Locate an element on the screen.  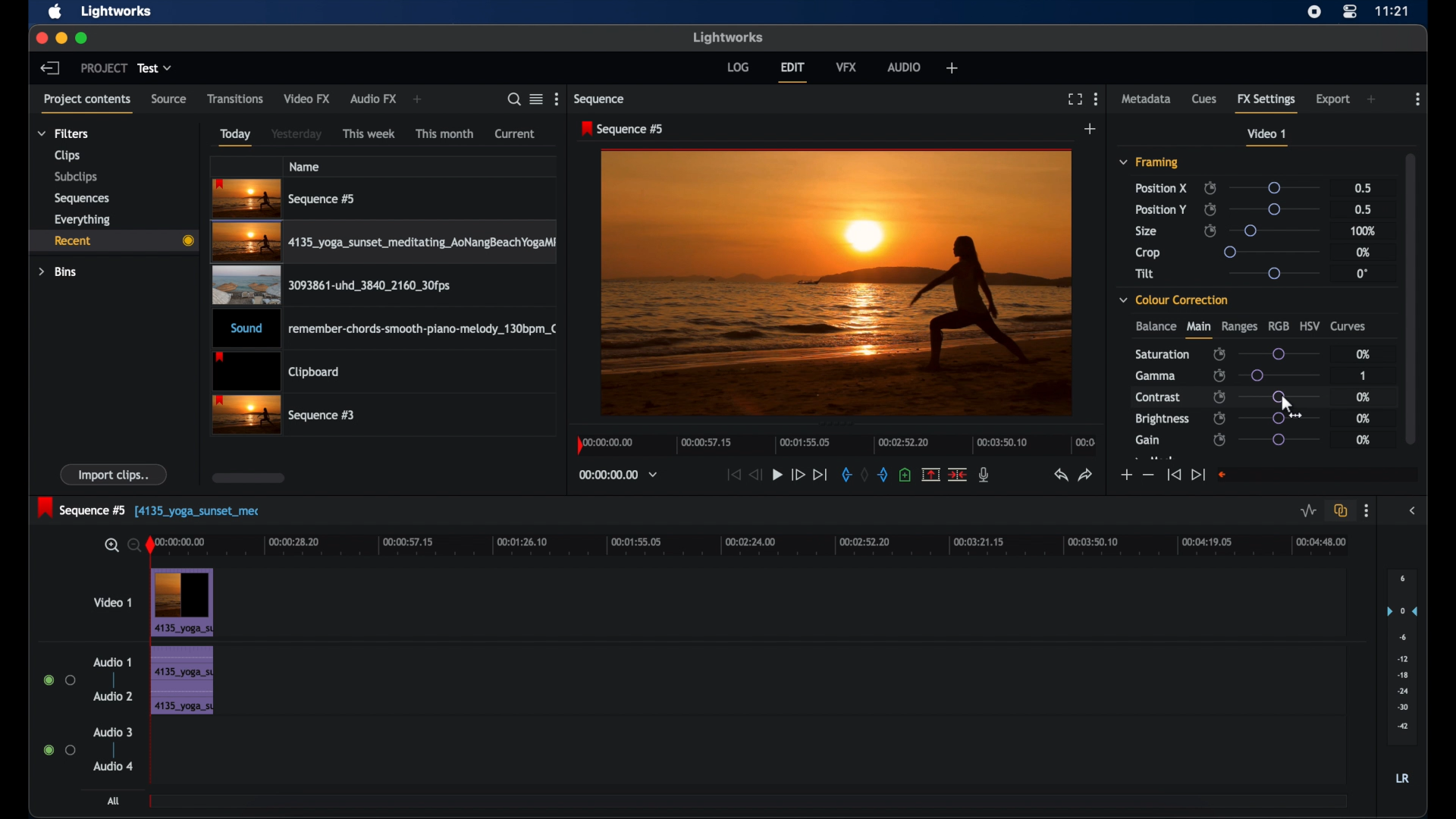
current is located at coordinates (515, 133).